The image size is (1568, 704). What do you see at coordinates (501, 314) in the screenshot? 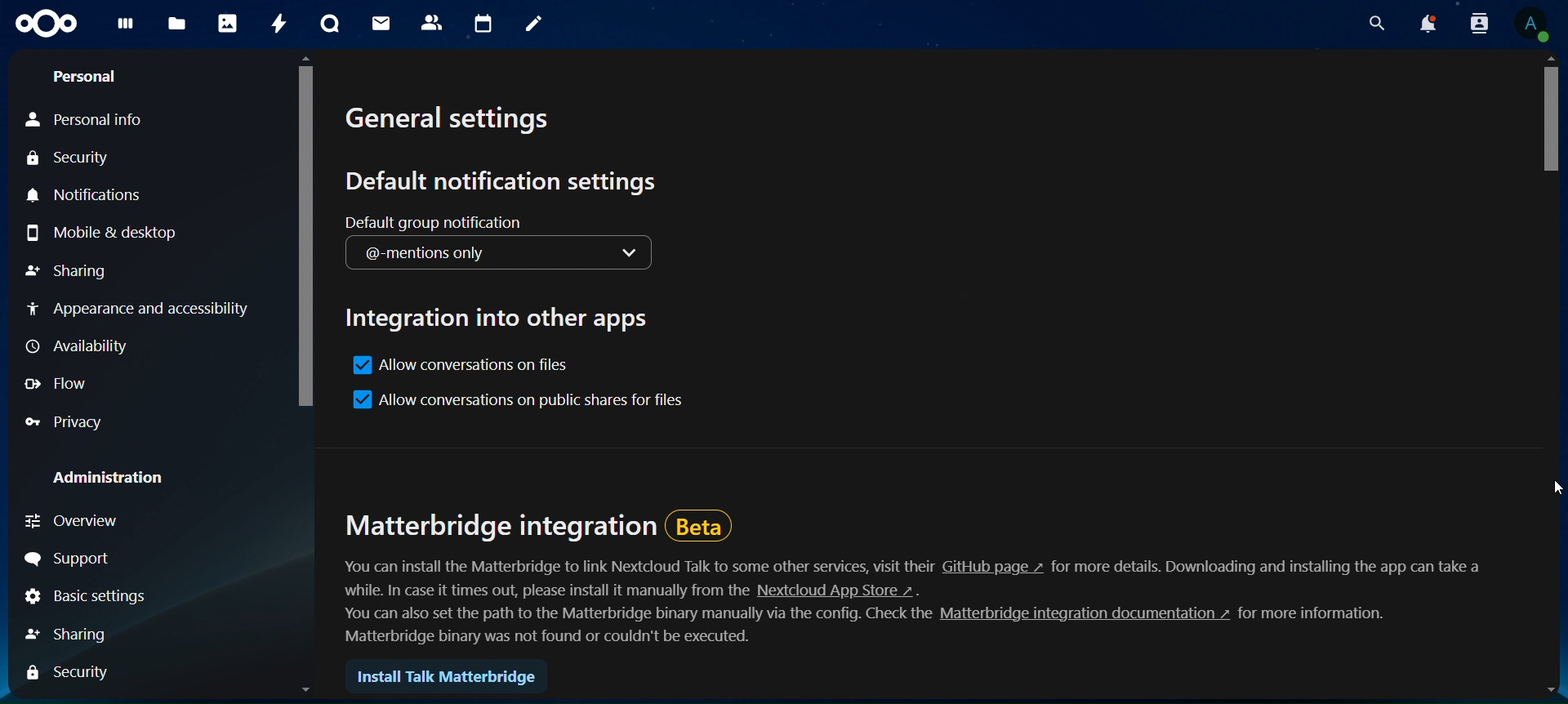
I see `integration into other apps` at bounding box center [501, 314].